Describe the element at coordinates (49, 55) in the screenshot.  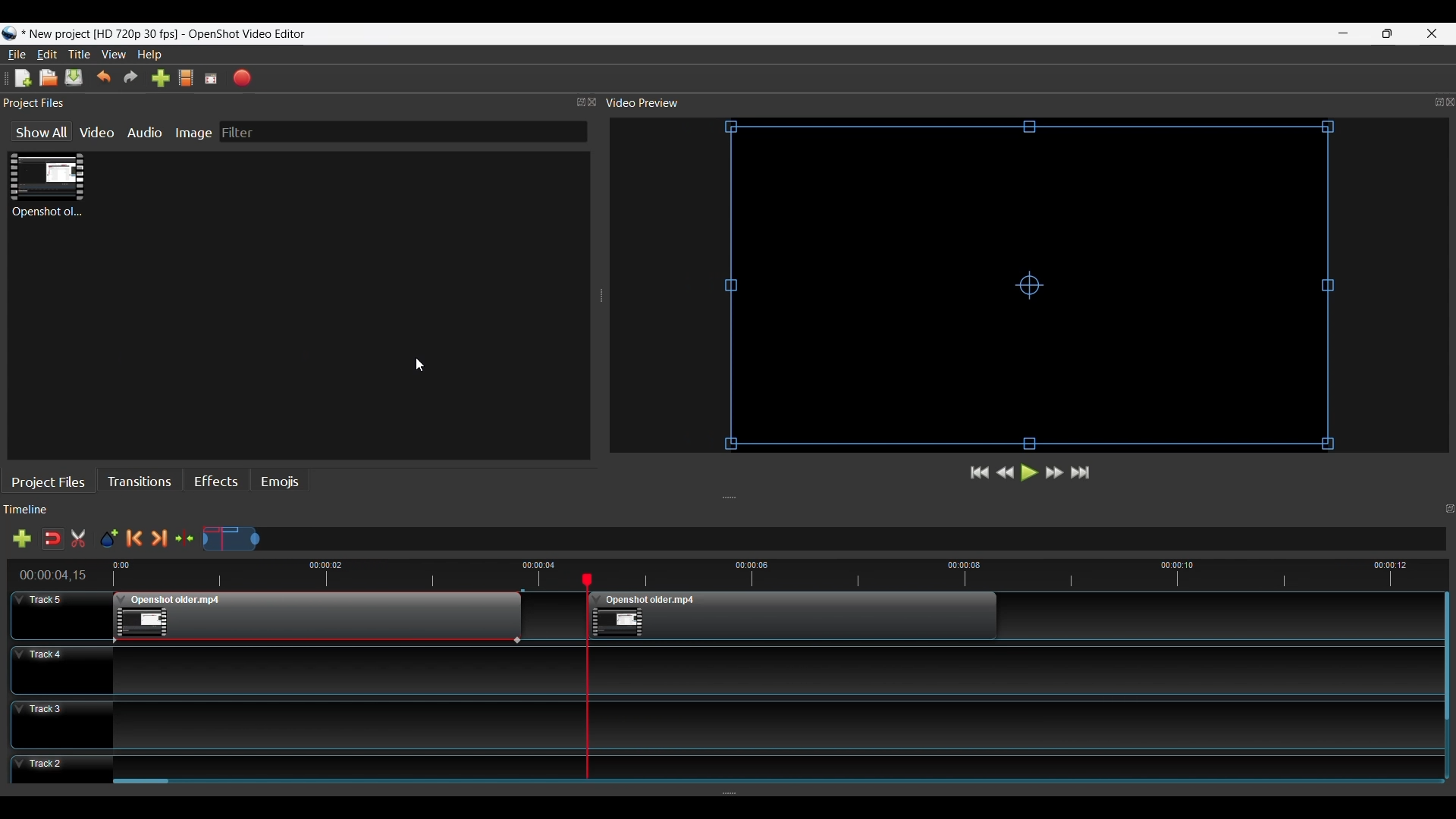
I see `Edit` at that location.